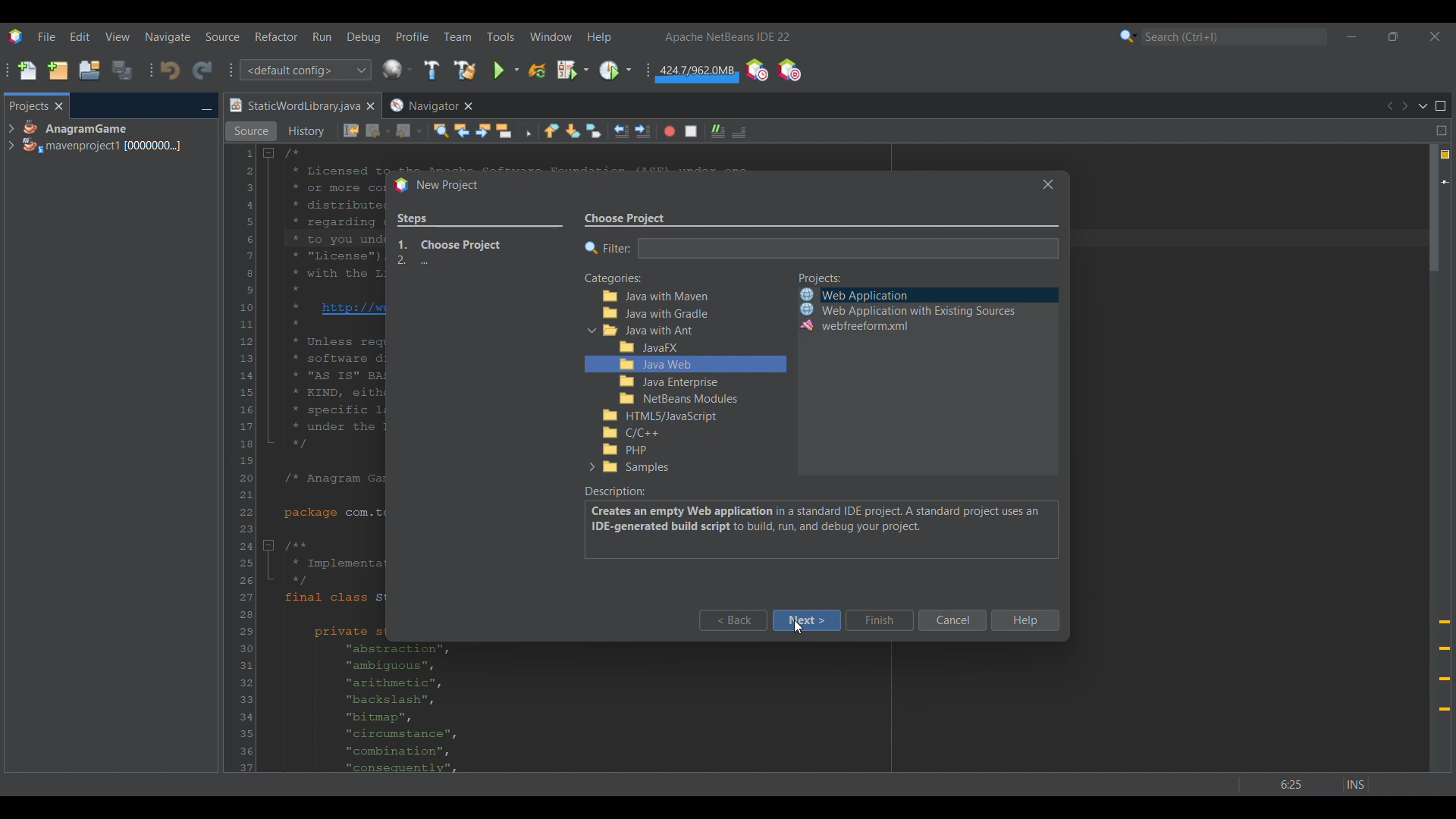 This screenshot has width=1456, height=819. What do you see at coordinates (251, 131) in the screenshot?
I see `Source view` at bounding box center [251, 131].